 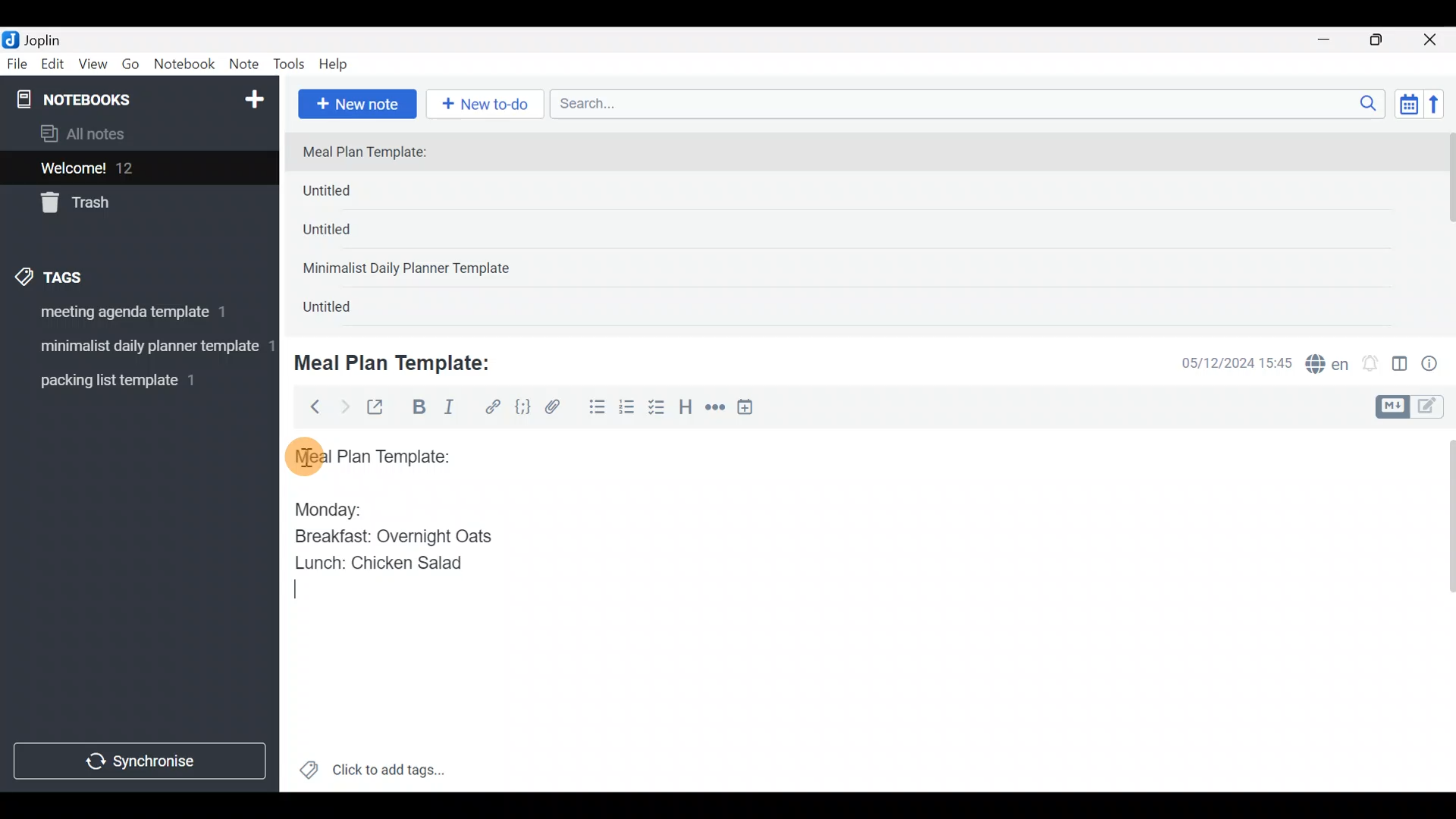 What do you see at coordinates (303, 456) in the screenshot?
I see `cursor` at bounding box center [303, 456].